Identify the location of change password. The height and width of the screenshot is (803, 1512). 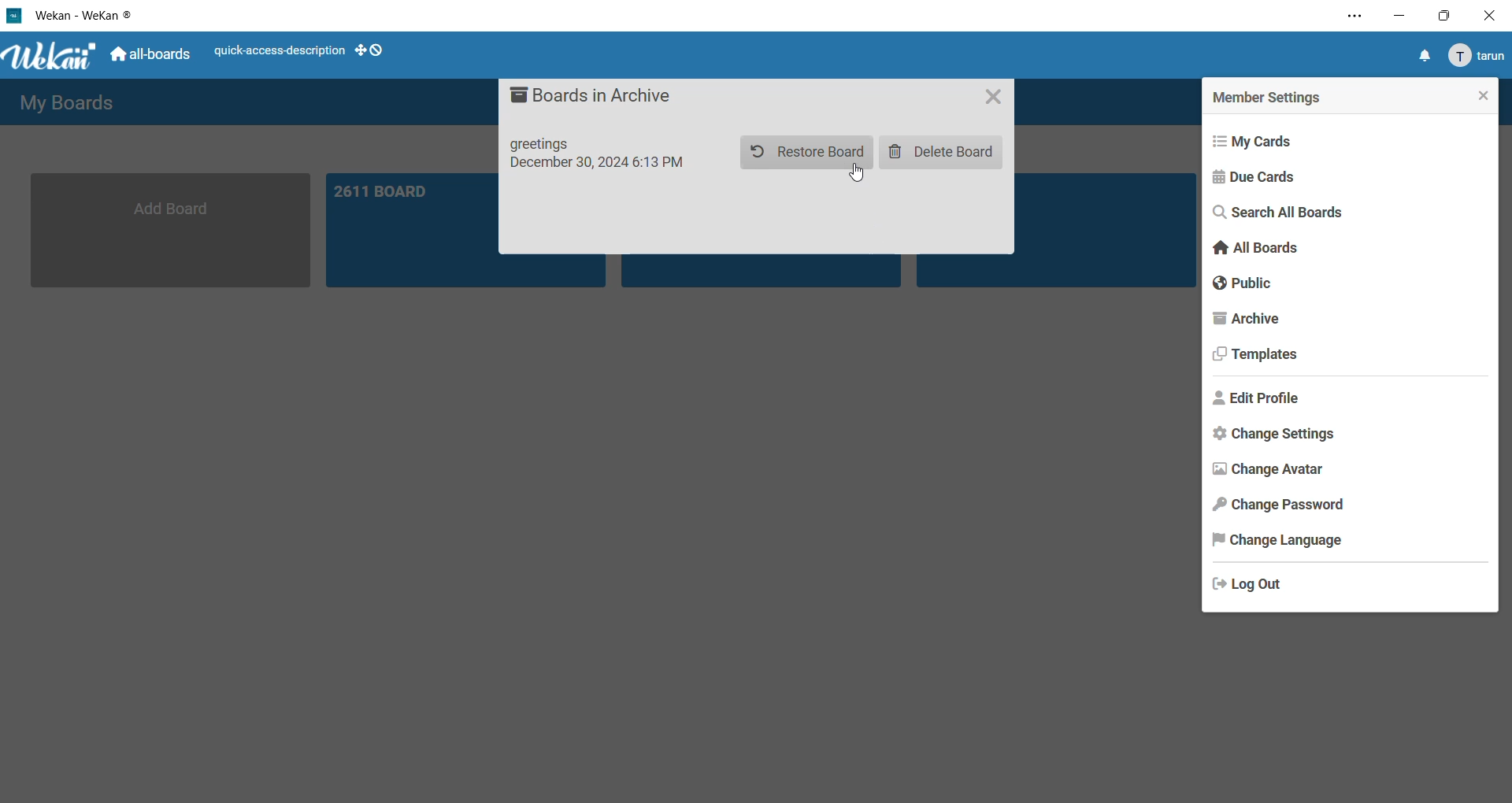
(1280, 506).